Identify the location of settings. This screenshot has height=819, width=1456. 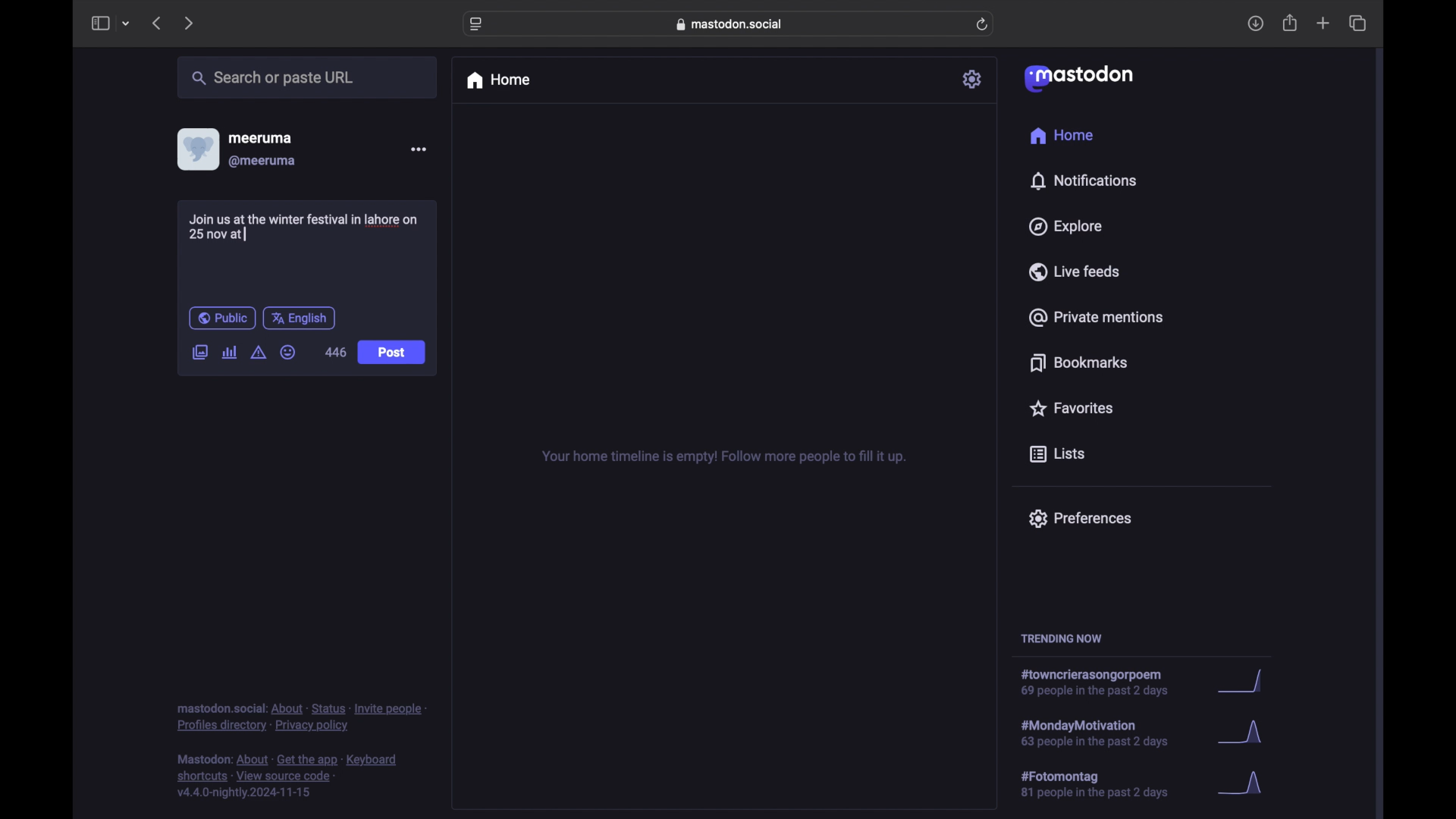
(974, 79).